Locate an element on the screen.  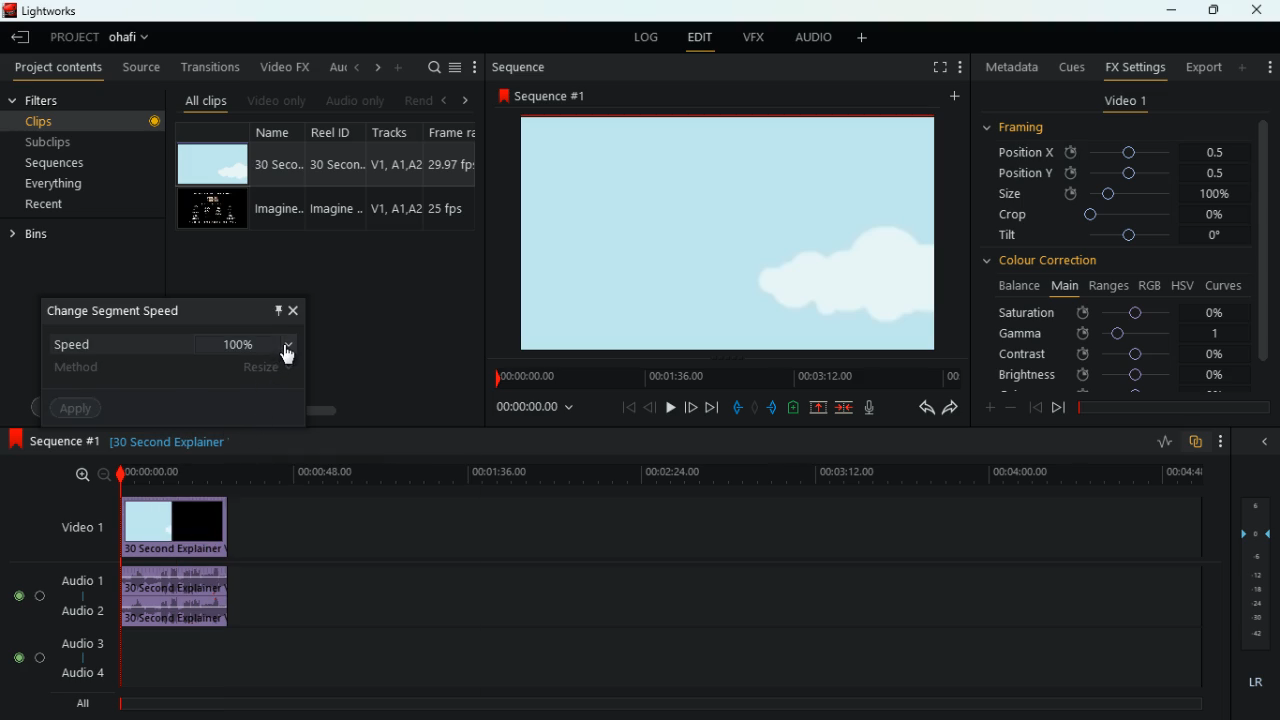
bins is located at coordinates (39, 235).